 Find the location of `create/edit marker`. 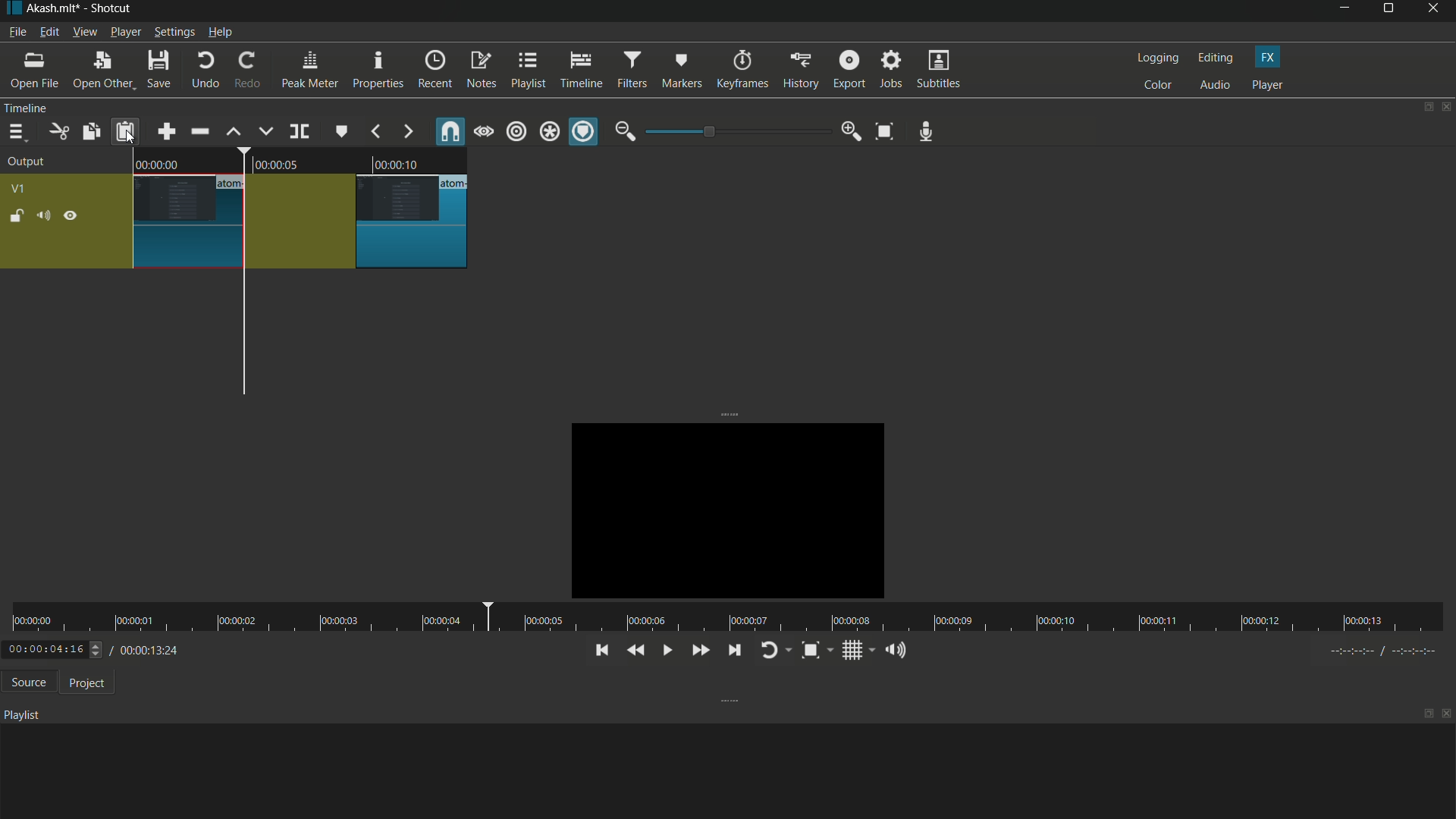

create/edit marker is located at coordinates (340, 130).